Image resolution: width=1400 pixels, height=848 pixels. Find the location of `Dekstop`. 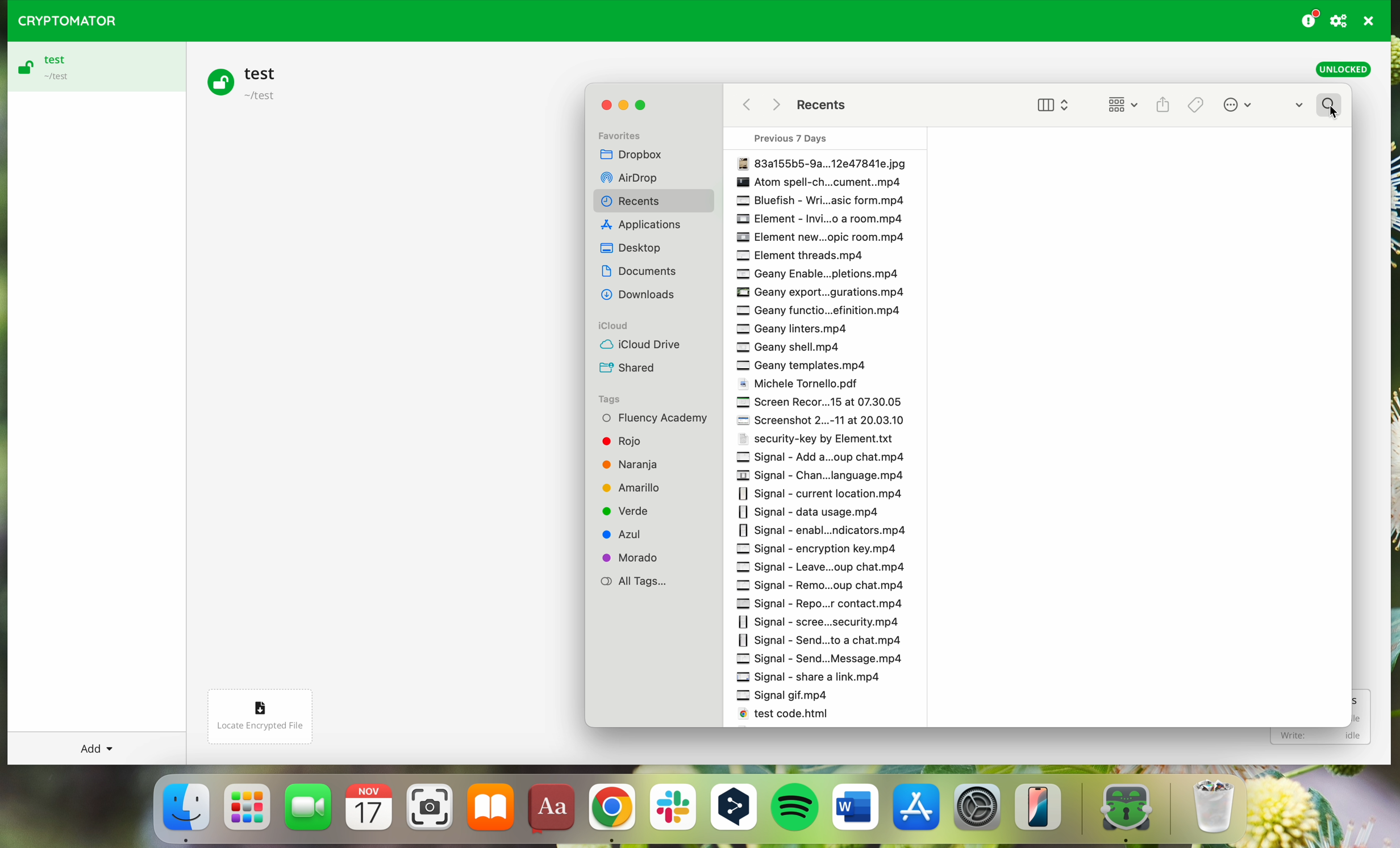

Dekstop is located at coordinates (635, 248).